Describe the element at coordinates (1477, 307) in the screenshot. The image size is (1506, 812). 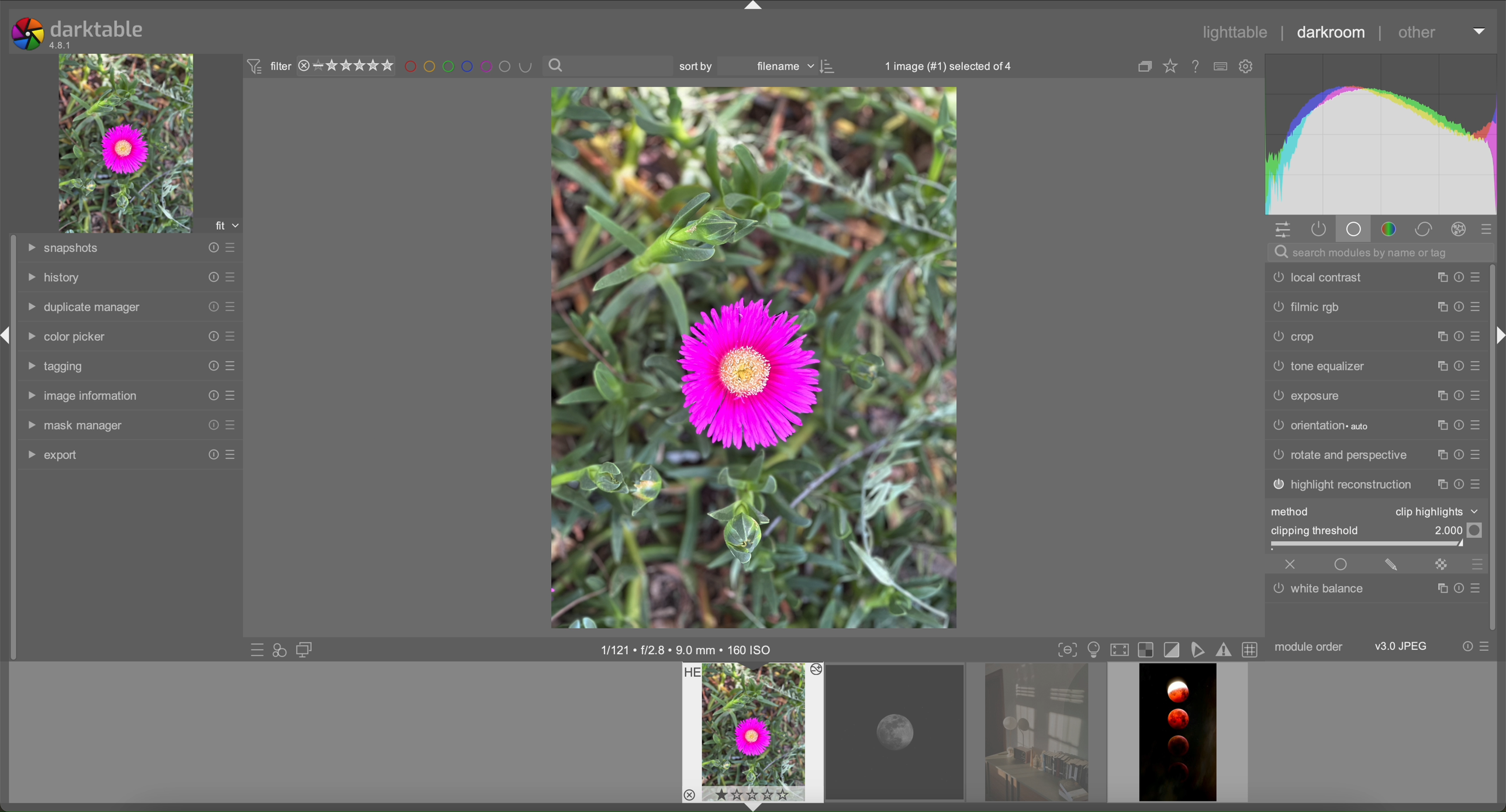
I see `presets` at that location.